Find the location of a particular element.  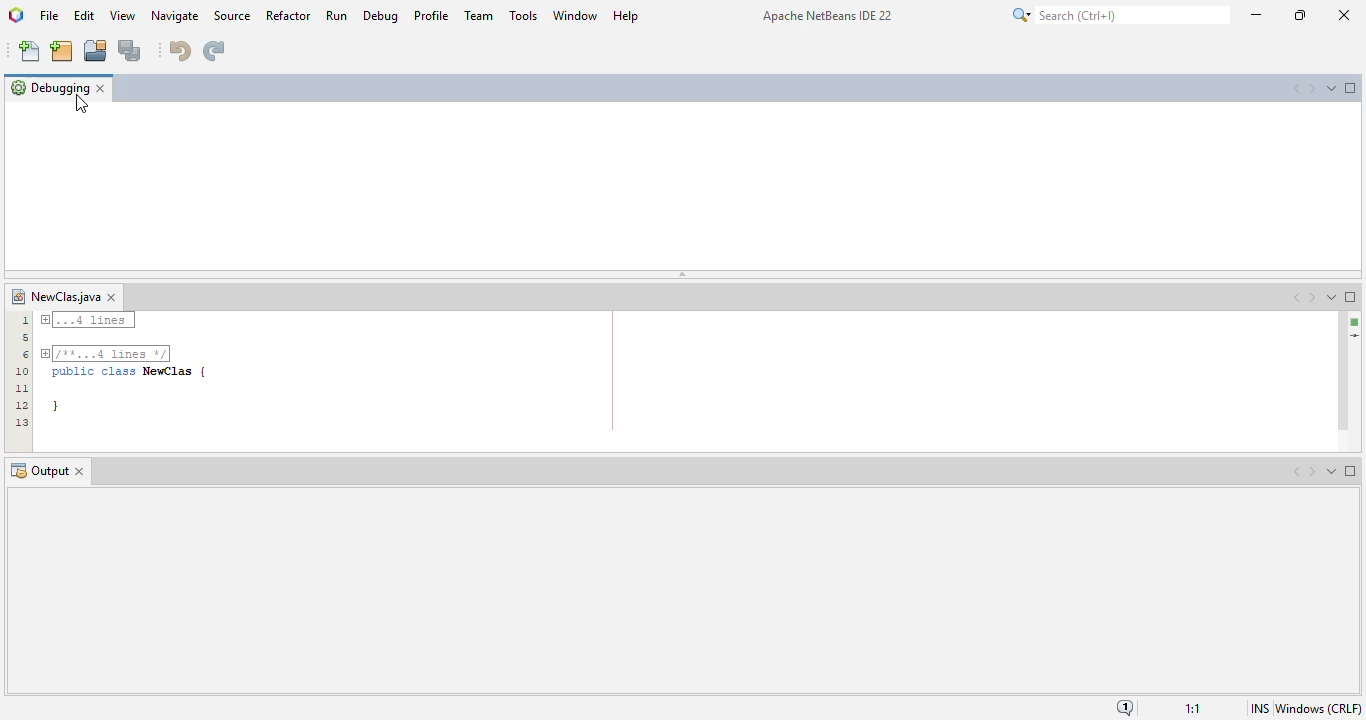

scroll documents right is located at coordinates (1310, 89).